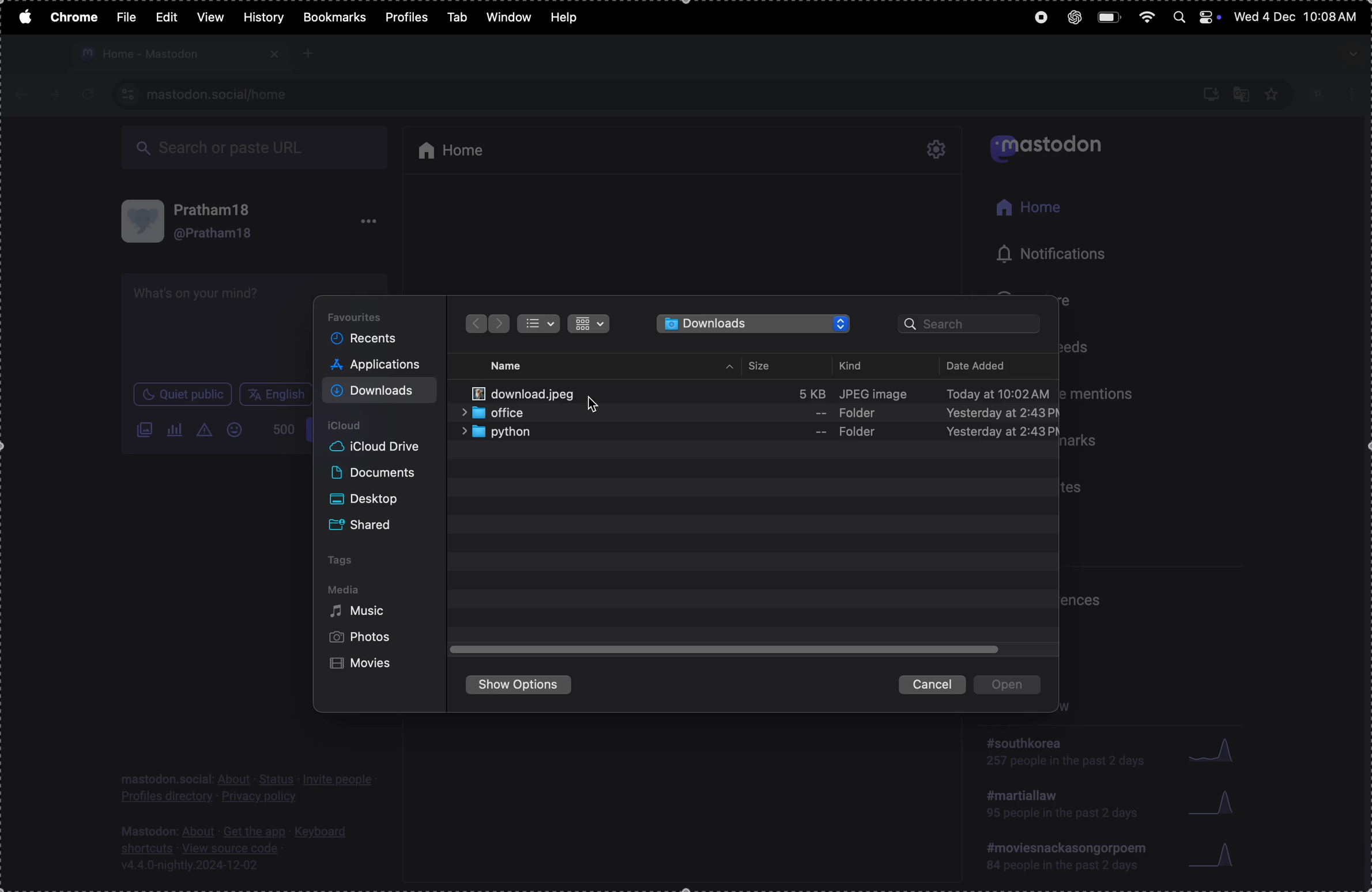 The height and width of the screenshot is (892, 1372). Describe the element at coordinates (727, 650) in the screenshot. I see `toggle bar` at that location.